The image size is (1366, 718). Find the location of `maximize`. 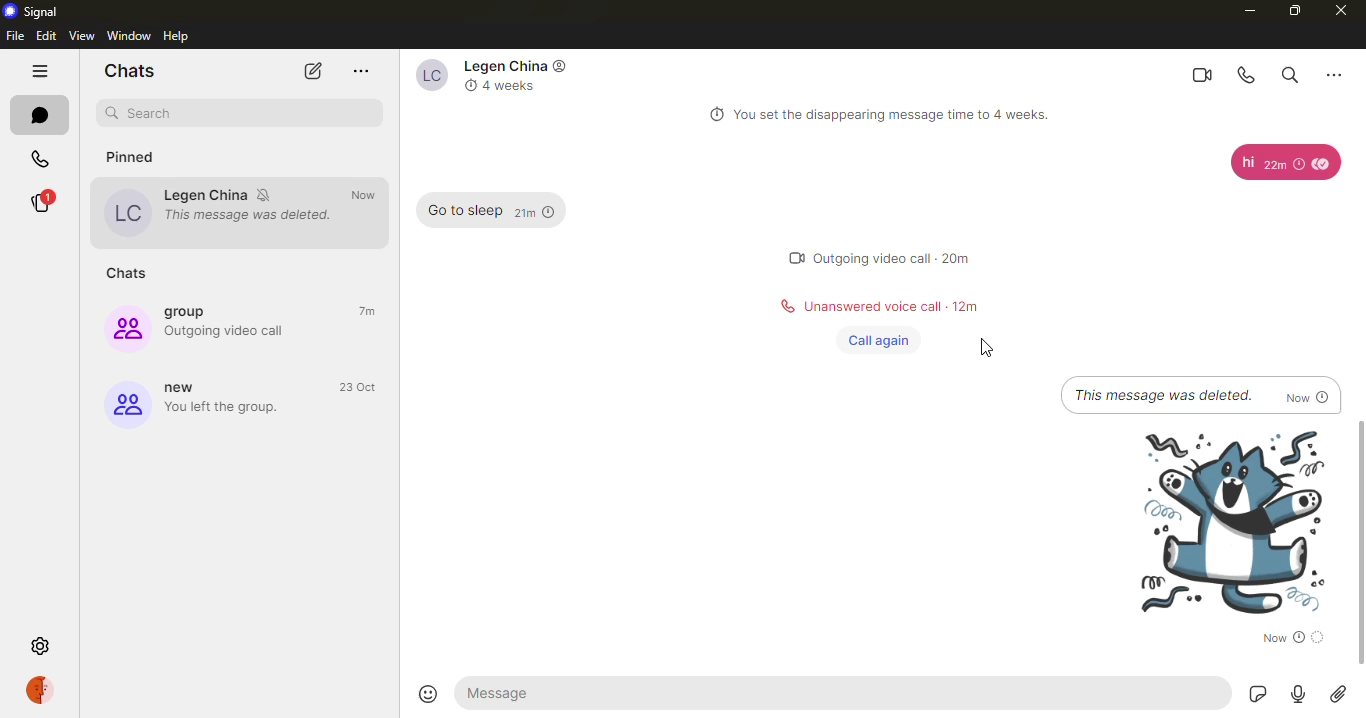

maximize is located at coordinates (1291, 12).